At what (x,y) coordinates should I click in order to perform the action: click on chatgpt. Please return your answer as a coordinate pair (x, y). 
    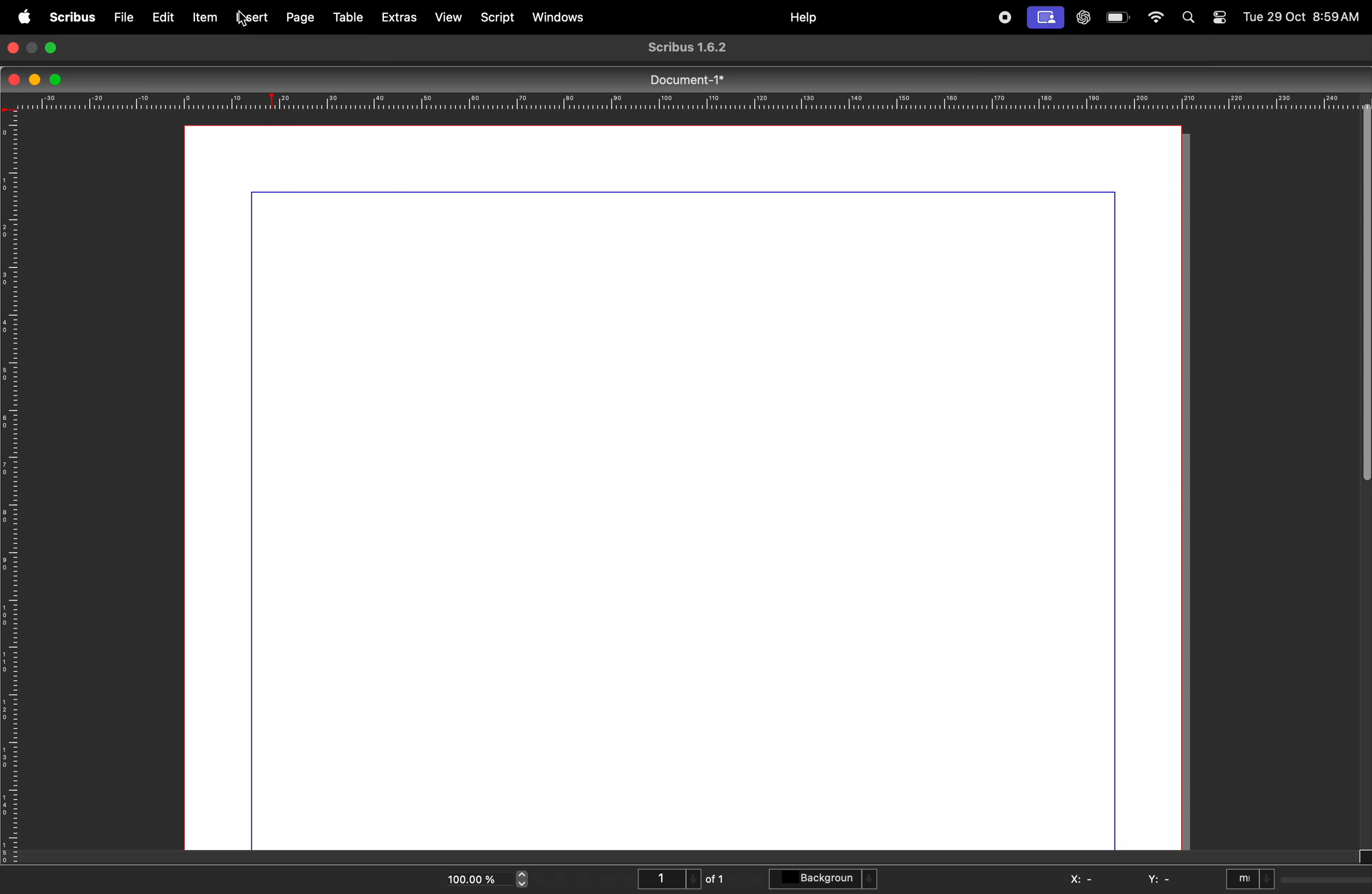
    Looking at the image, I should click on (1083, 16).